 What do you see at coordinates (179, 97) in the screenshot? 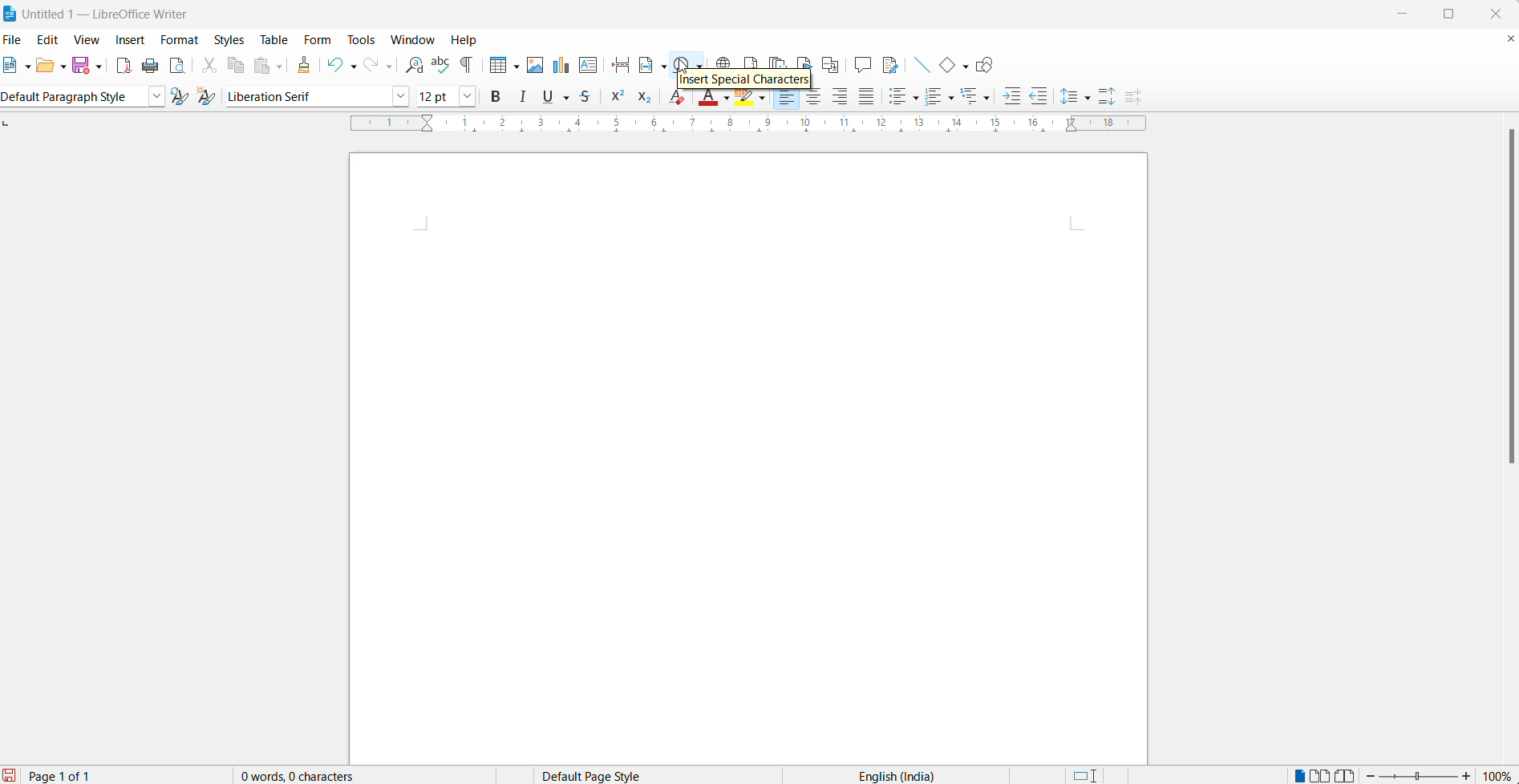
I see `update selected style` at bounding box center [179, 97].